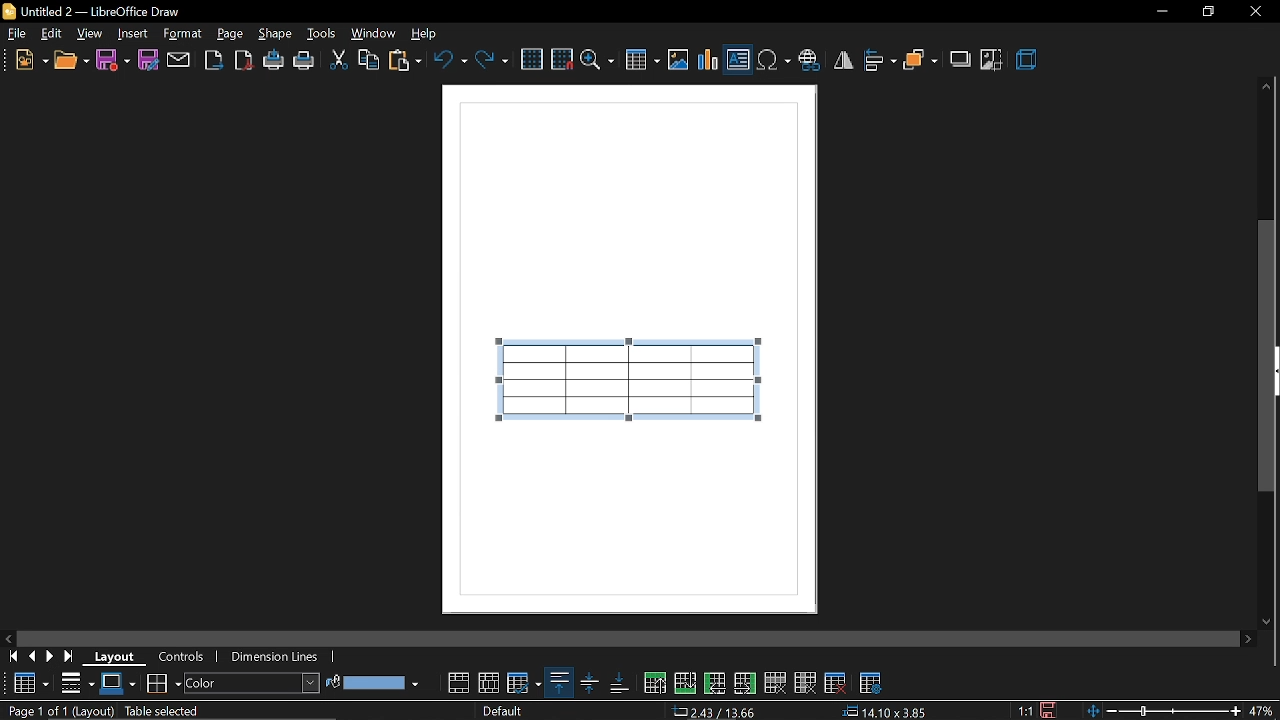  I want to click on cursor, so click(503, 349).